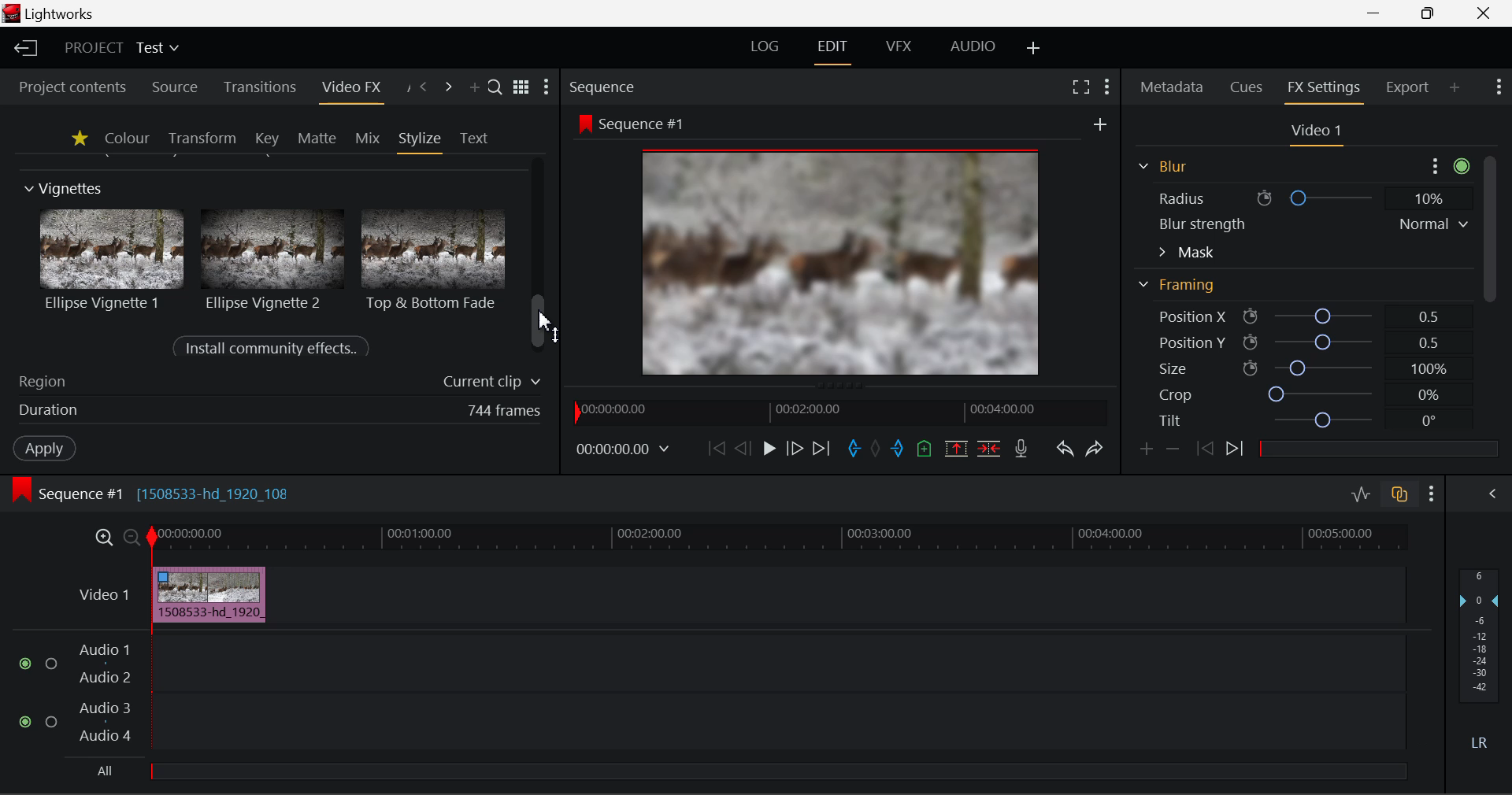 Image resolution: width=1512 pixels, height=795 pixels. I want to click on AUDIO Layout, so click(972, 47).